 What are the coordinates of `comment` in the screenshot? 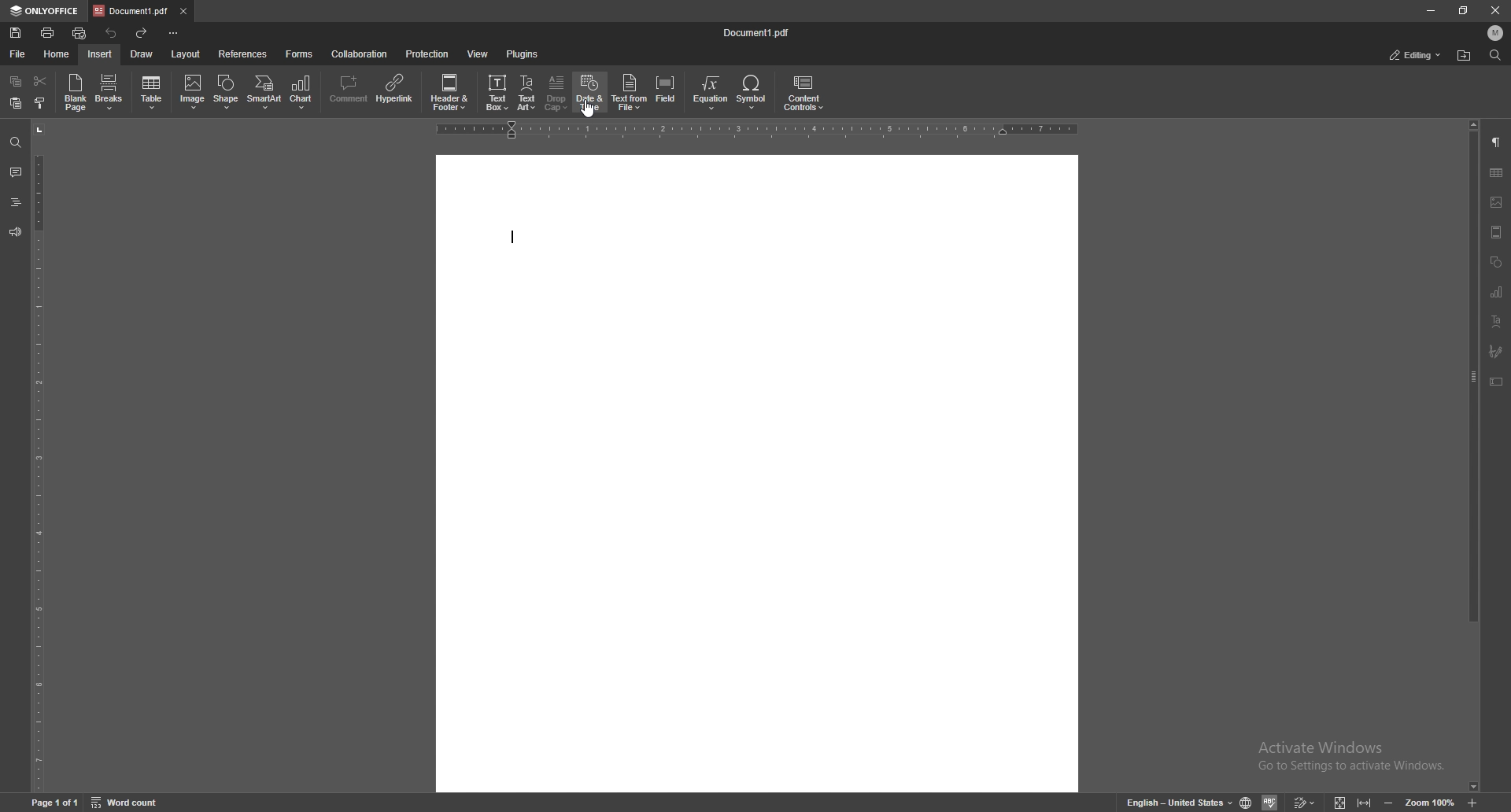 It's located at (15, 172).